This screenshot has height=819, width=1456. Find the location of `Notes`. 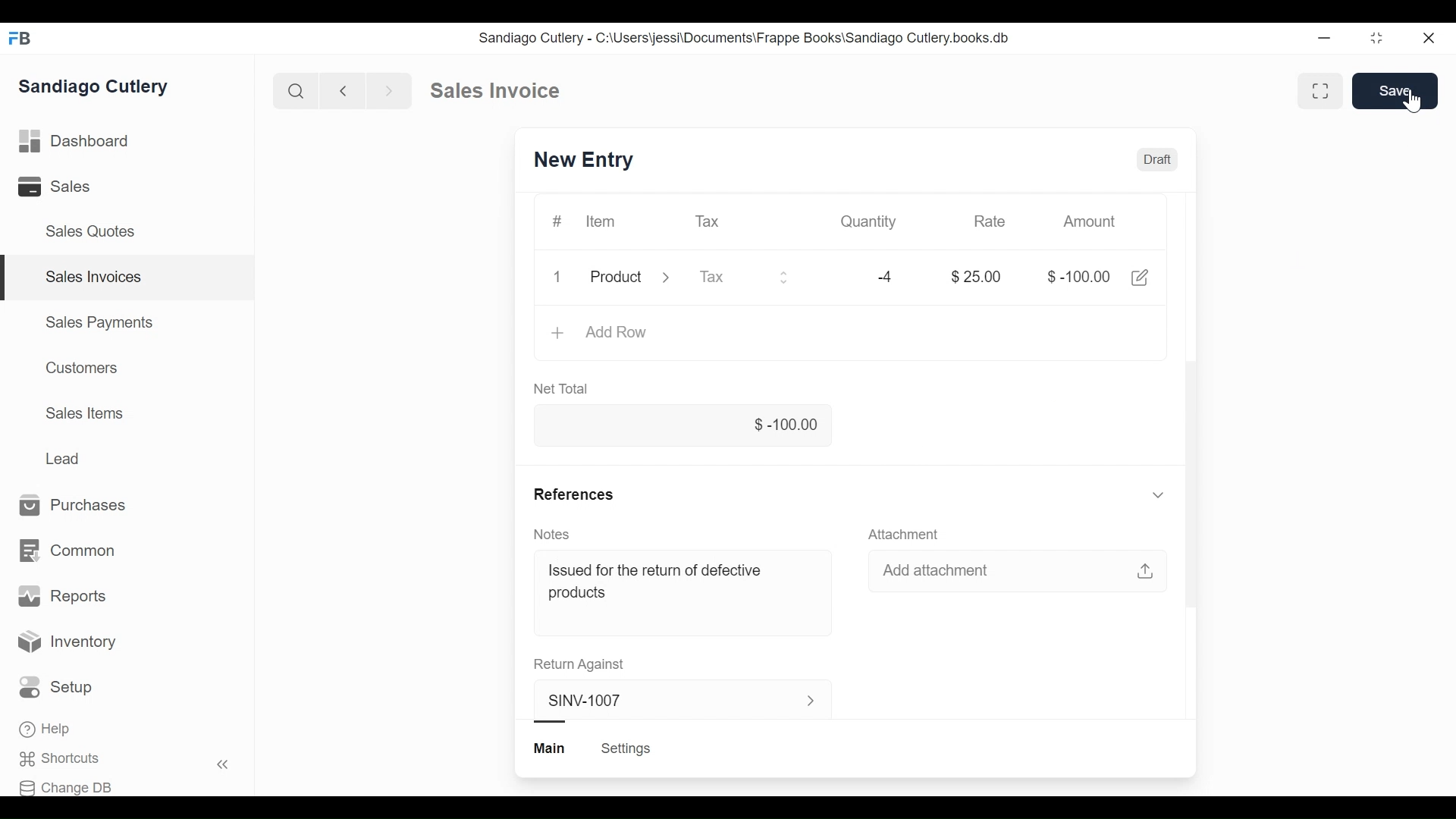

Notes is located at coordinates (554, 534).